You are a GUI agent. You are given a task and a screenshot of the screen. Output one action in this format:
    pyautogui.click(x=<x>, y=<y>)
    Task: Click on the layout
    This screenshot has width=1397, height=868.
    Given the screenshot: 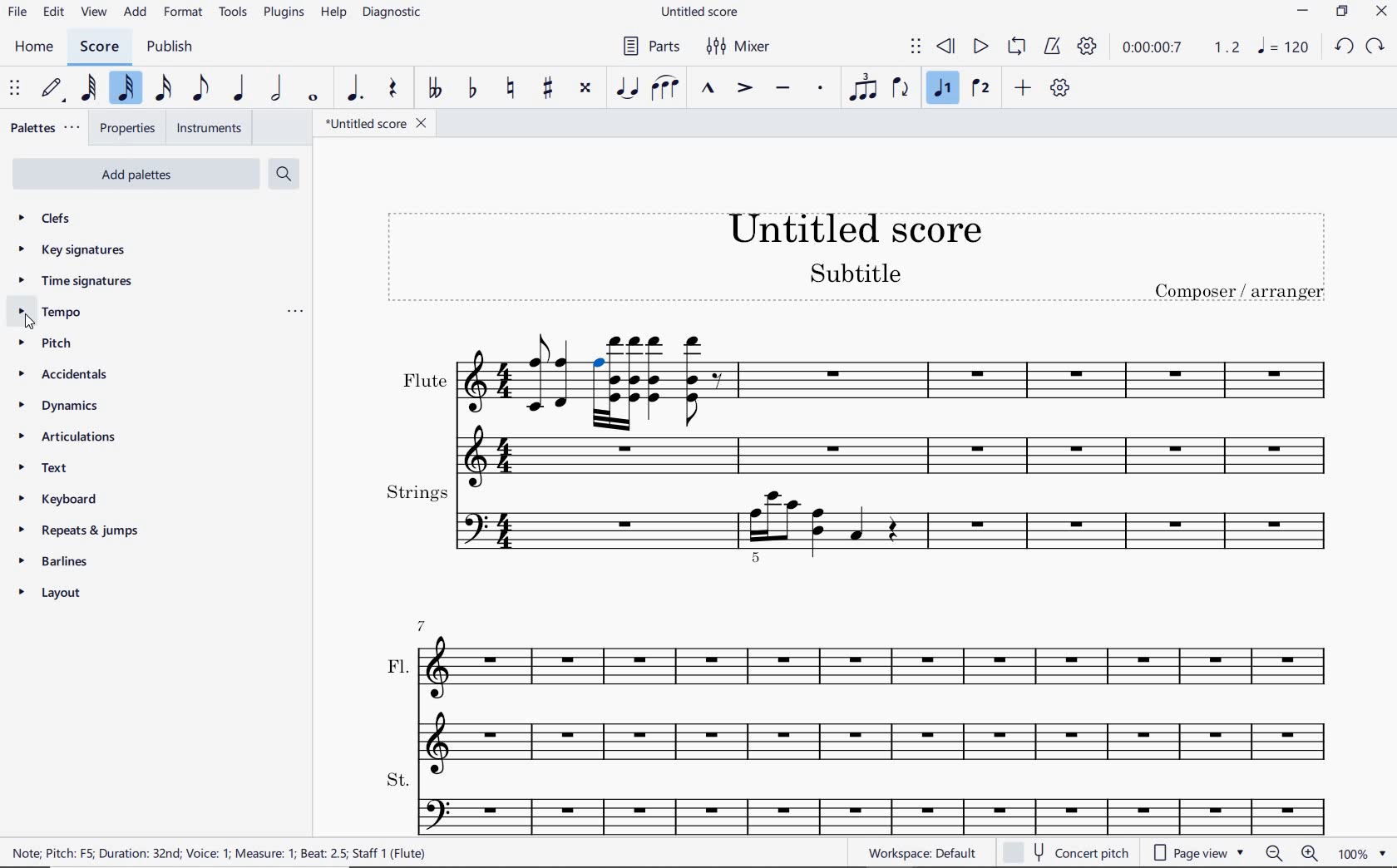 What is the action you would take?
    pyautogui.click(x=53, y=594)
    